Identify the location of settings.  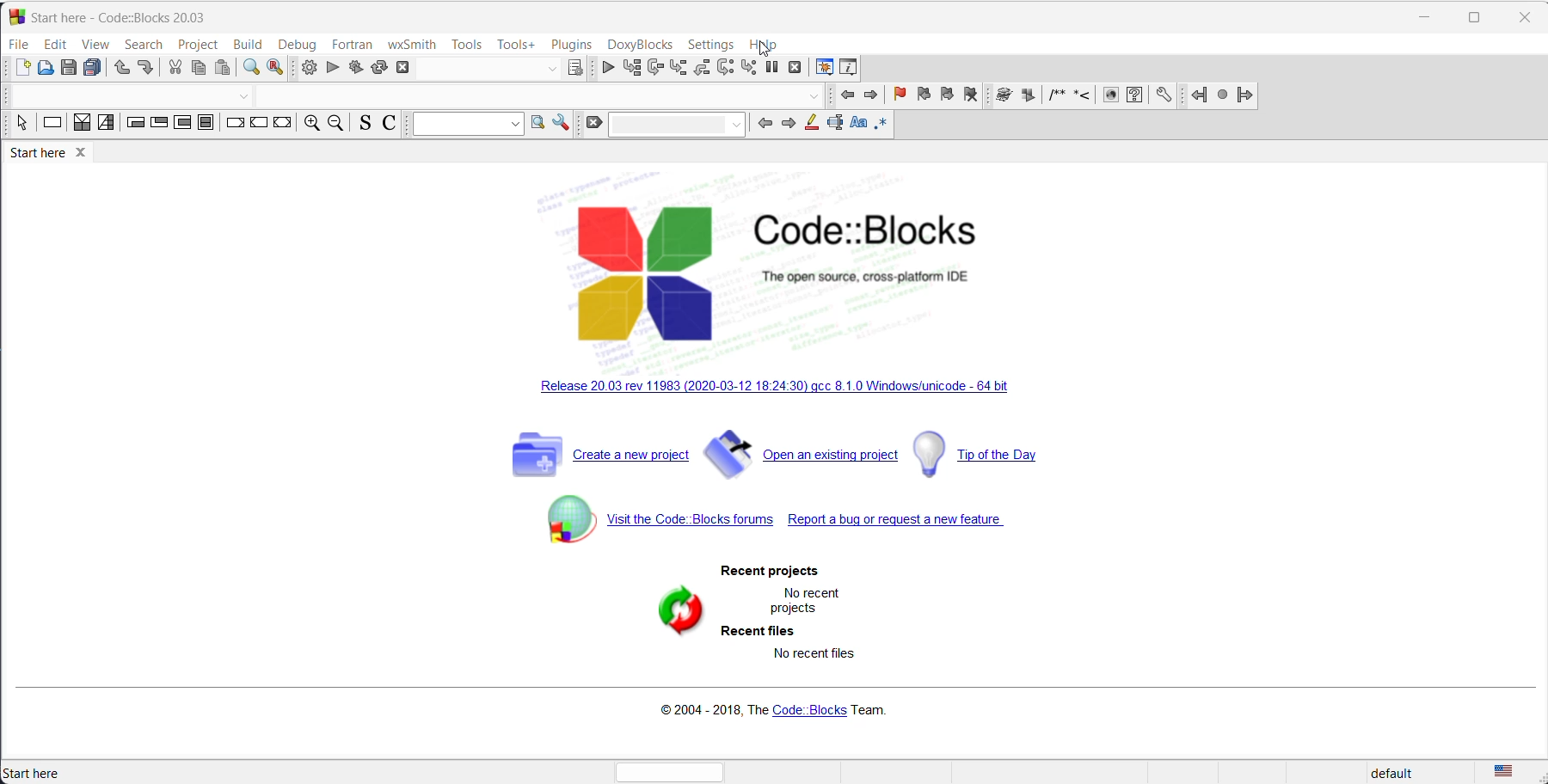
(1159, 95).